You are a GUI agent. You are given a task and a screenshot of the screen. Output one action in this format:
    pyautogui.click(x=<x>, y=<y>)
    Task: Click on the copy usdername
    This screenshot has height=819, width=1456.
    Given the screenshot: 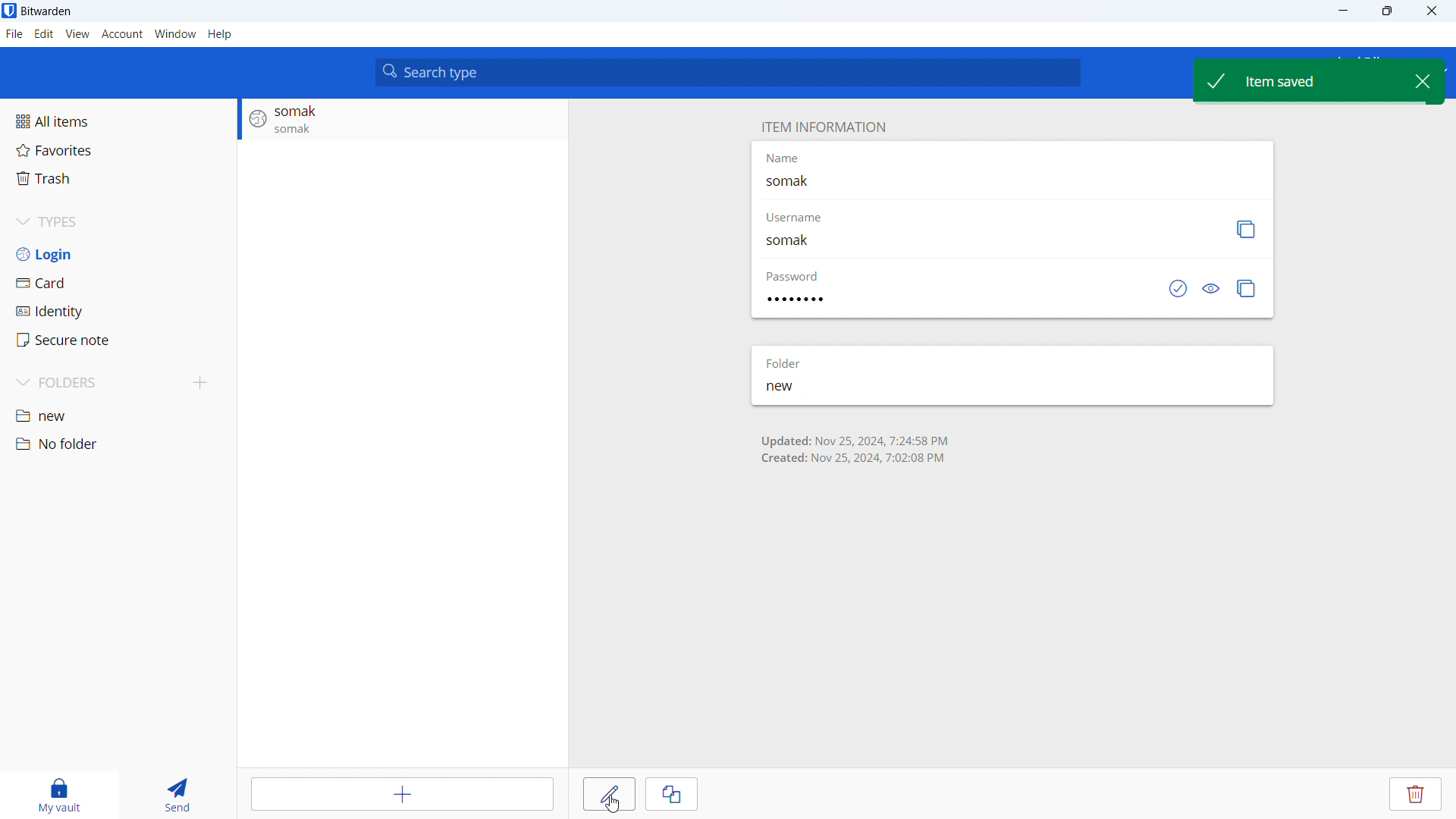 What is the action you would take?
    pyautogui.click(x=1244, y=229)
    